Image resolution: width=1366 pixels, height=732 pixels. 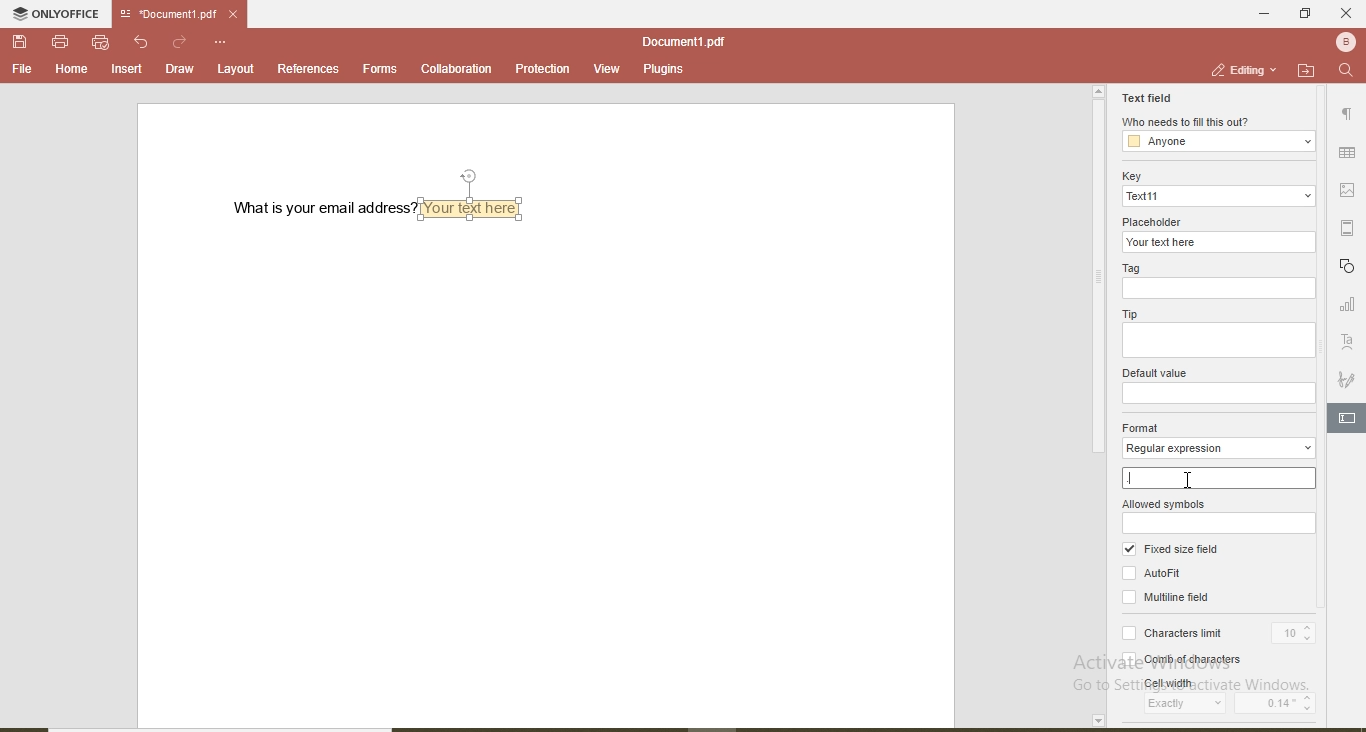 What do you see at coordinates (1350, 416) in the screenshot?
I see `edit text` at bounding box center [1350, 416].